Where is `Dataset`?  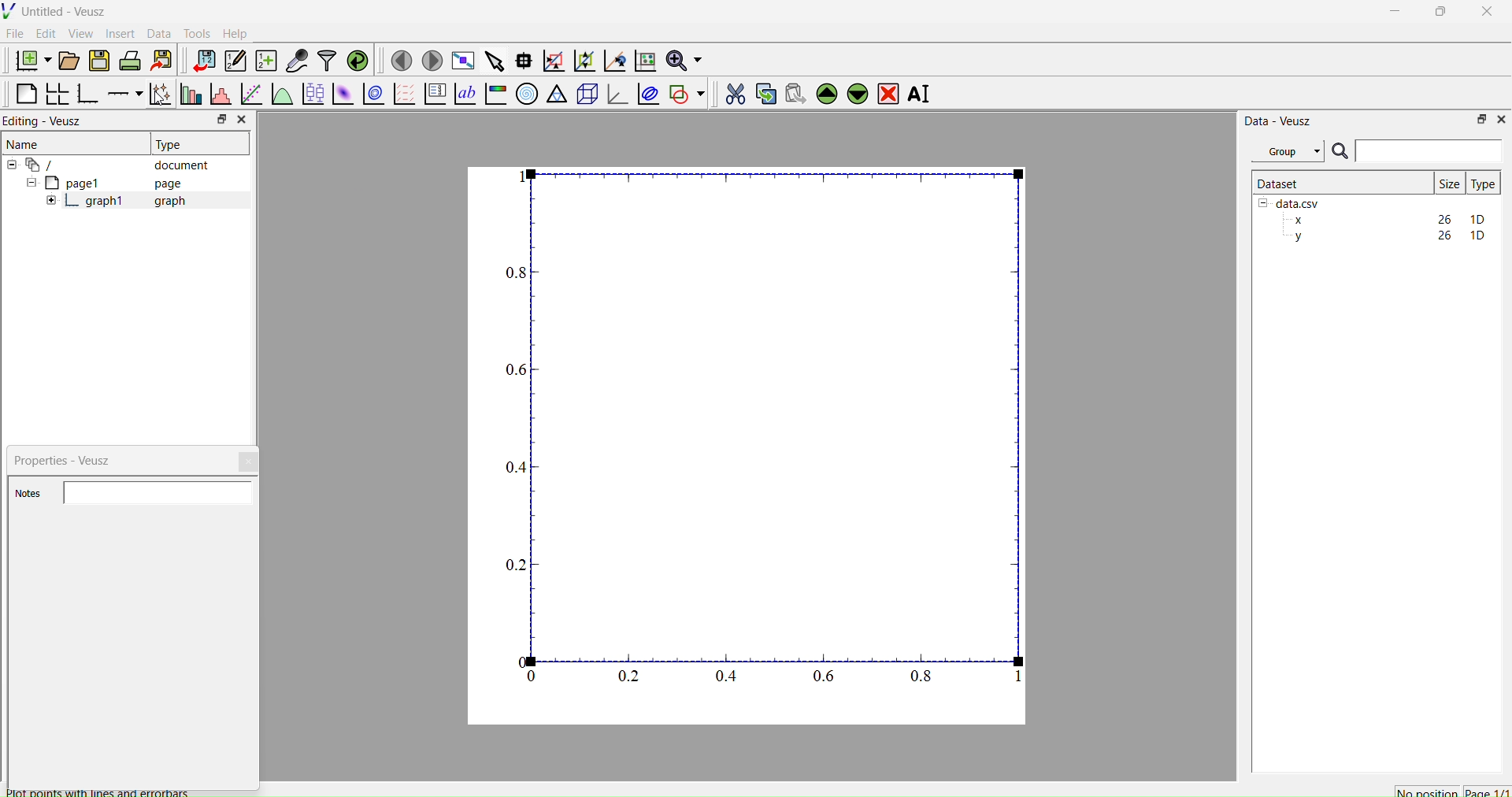 Dataset is located at coordinates (1279, 183).